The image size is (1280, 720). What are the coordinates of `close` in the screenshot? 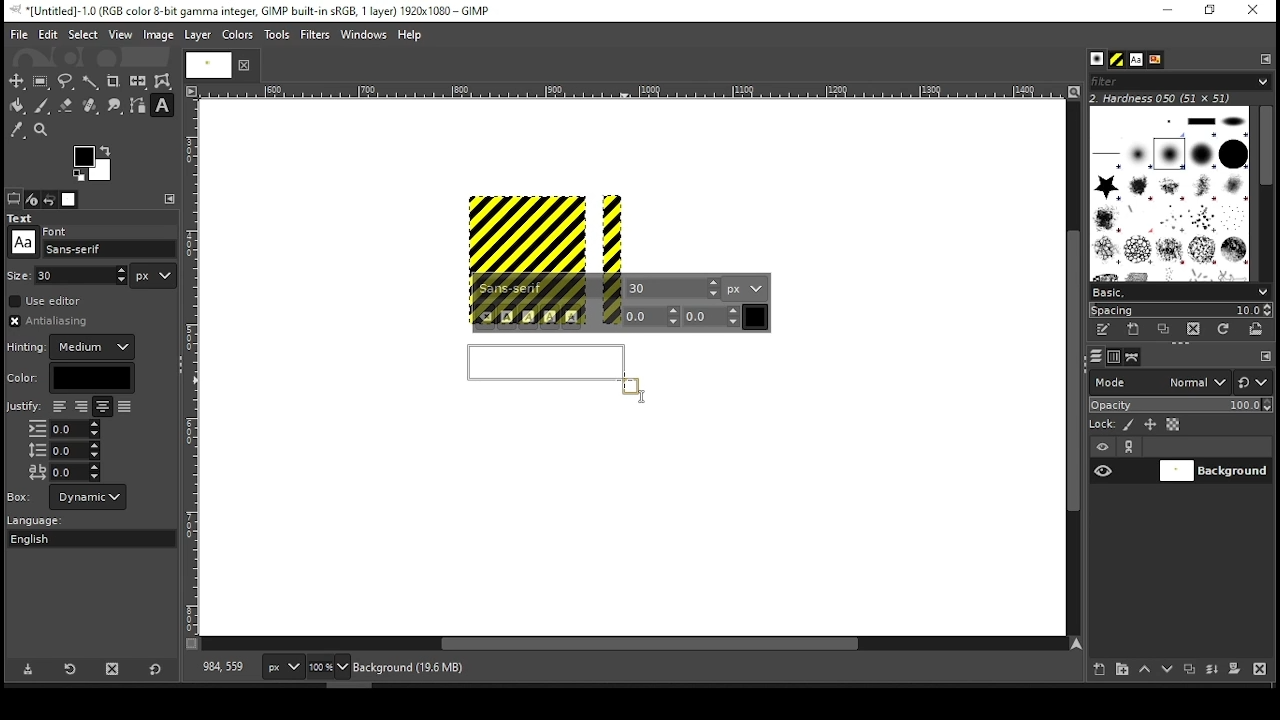 It's located at (242, 65).